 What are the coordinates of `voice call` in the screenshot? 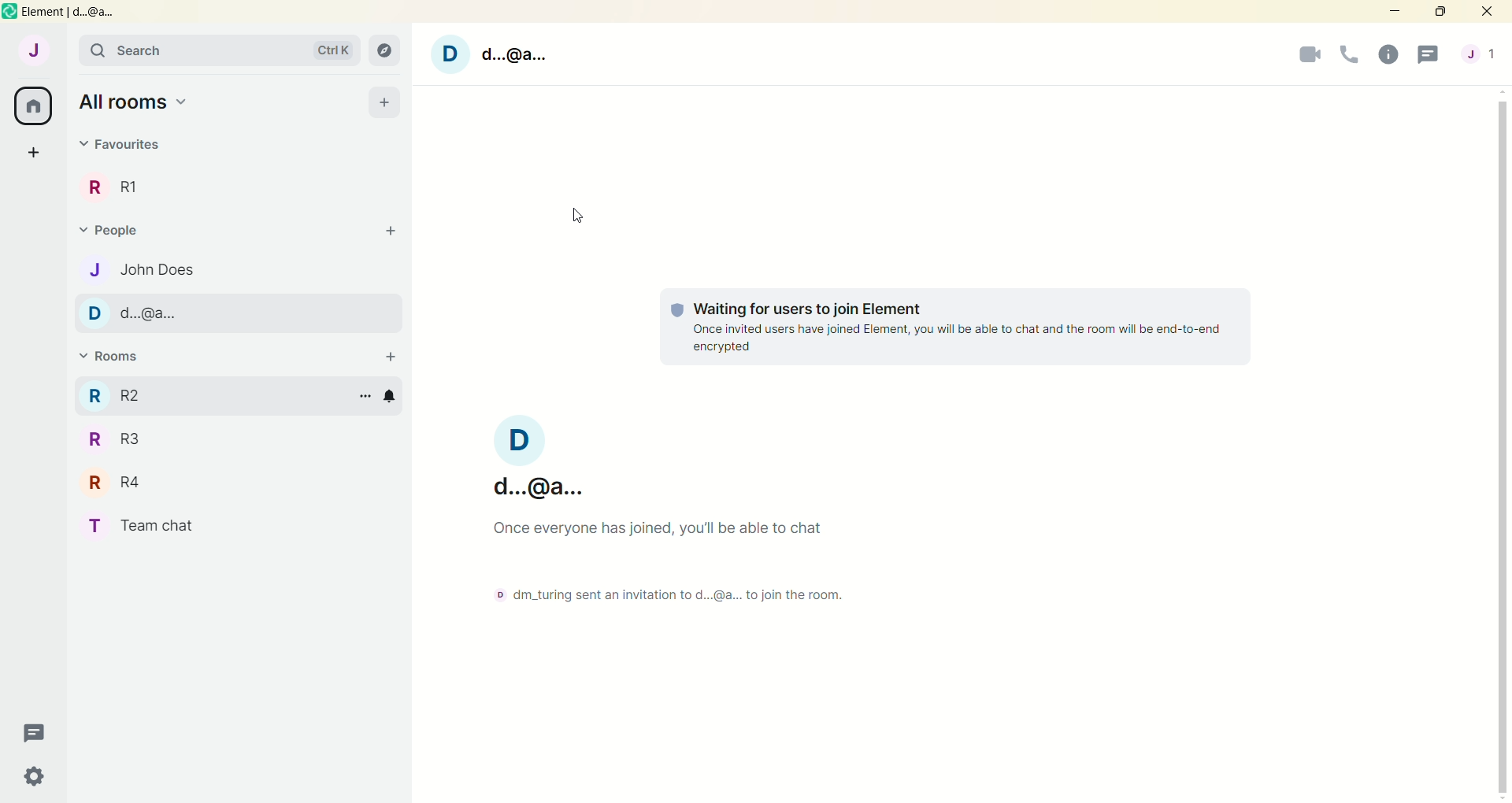 It's located at (1350, 56).